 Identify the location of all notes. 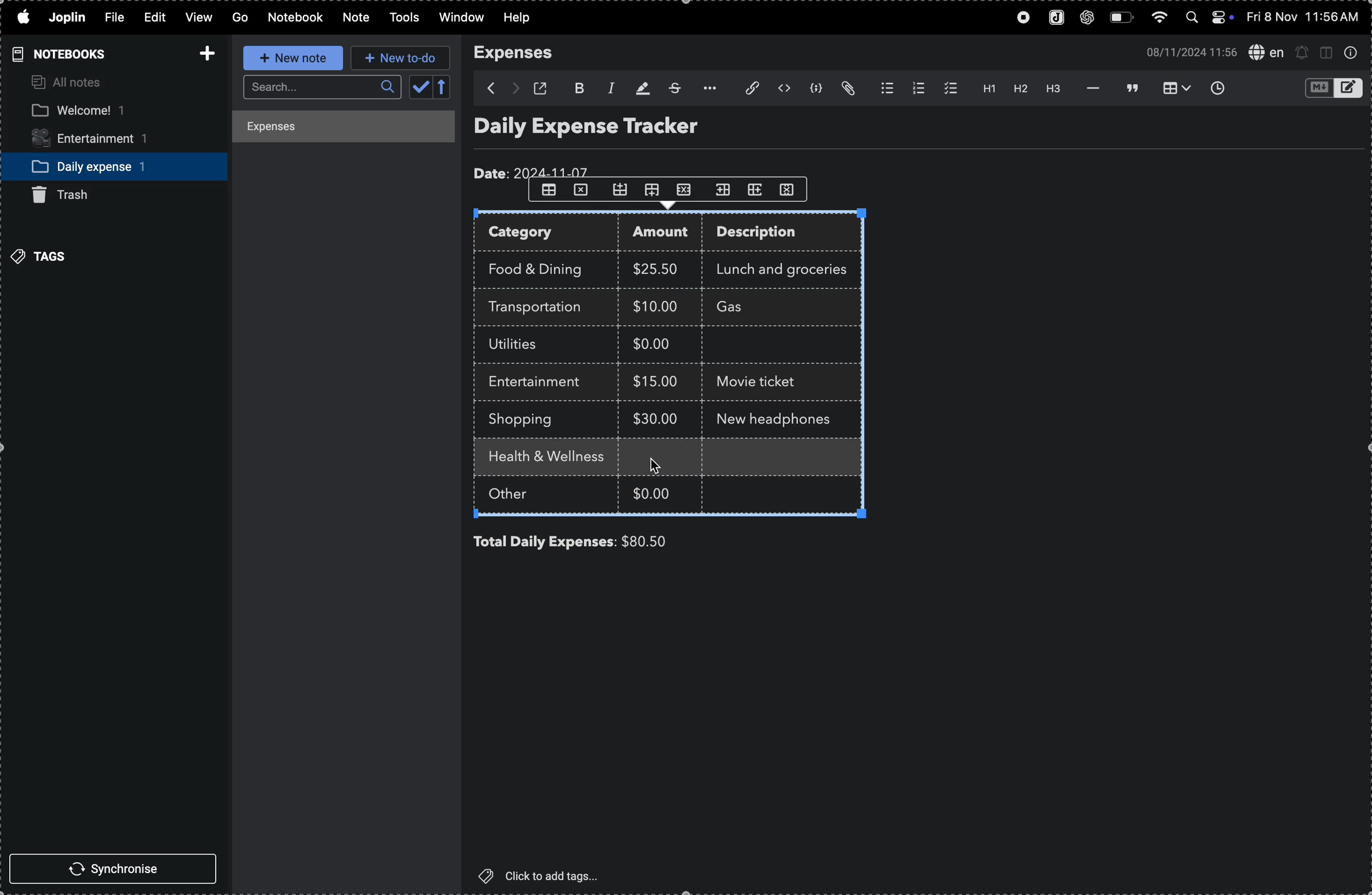
(69, 83).